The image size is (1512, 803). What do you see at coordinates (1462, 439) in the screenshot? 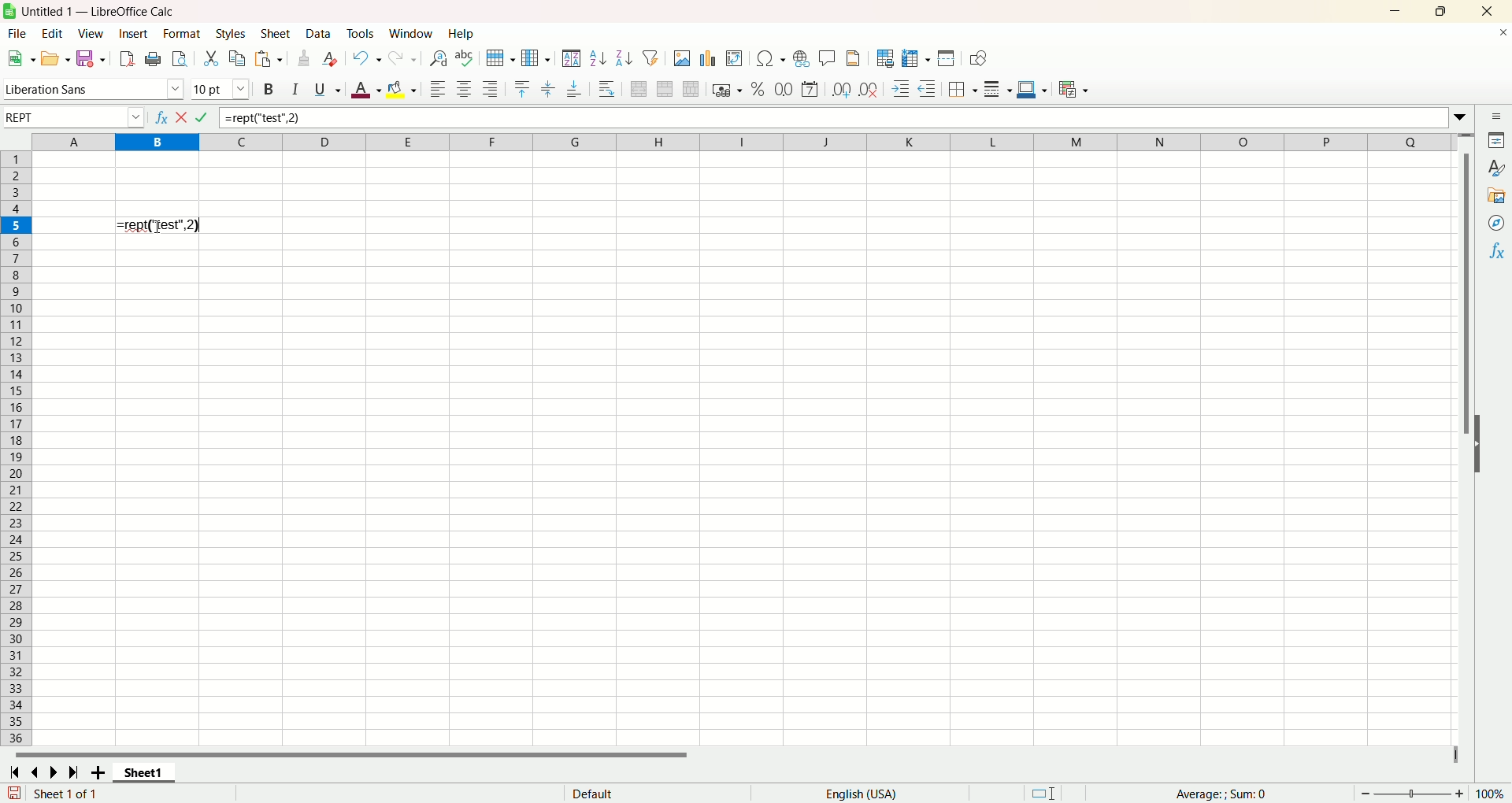
I see `vertical scroll bar` at bounding box center [1462, 439].